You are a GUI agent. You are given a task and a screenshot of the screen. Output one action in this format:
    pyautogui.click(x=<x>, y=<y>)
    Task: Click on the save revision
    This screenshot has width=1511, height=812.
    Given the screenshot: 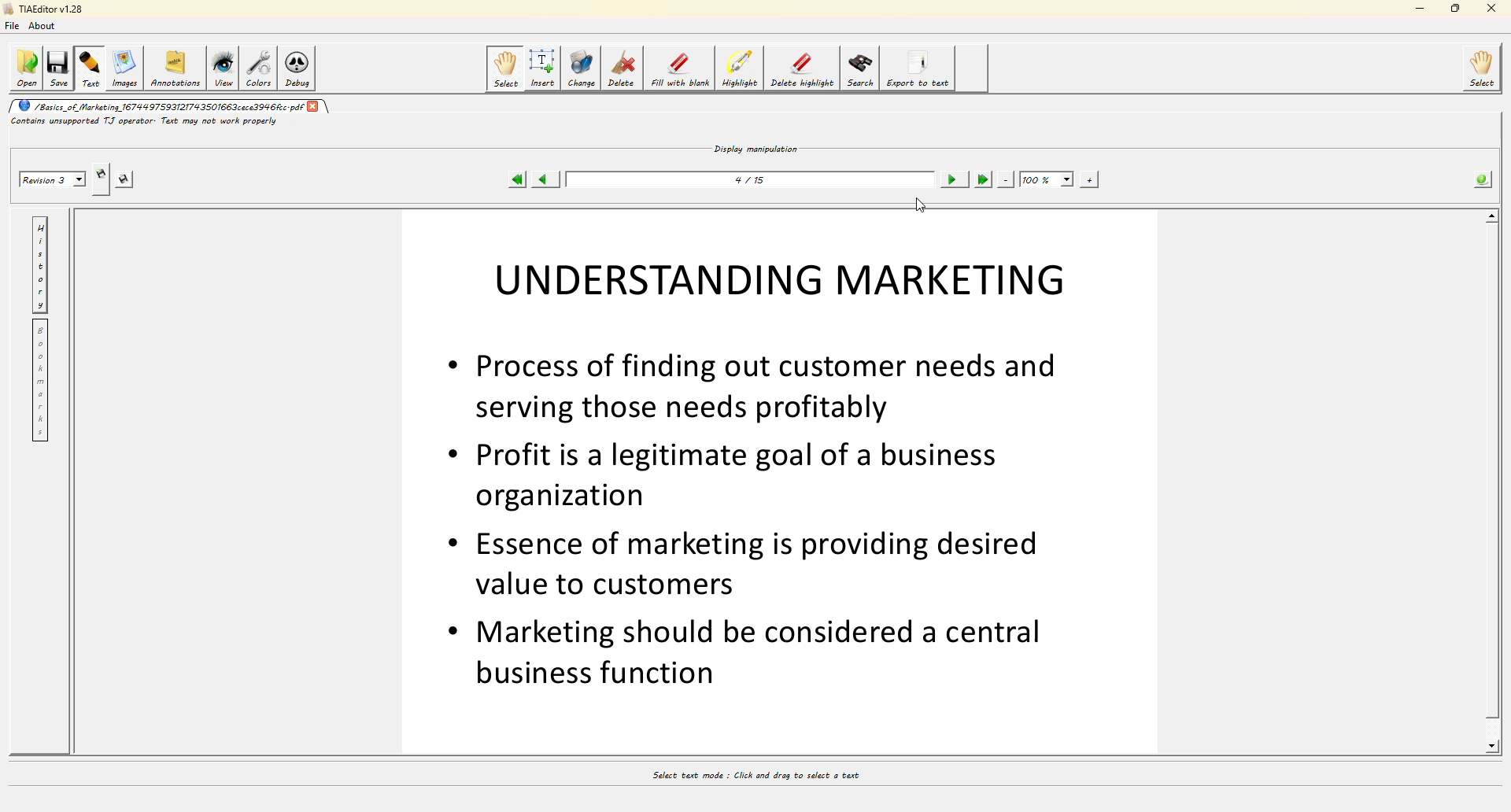 What is the action you would take?
    pyautogui.click(x=126, y=179)
    